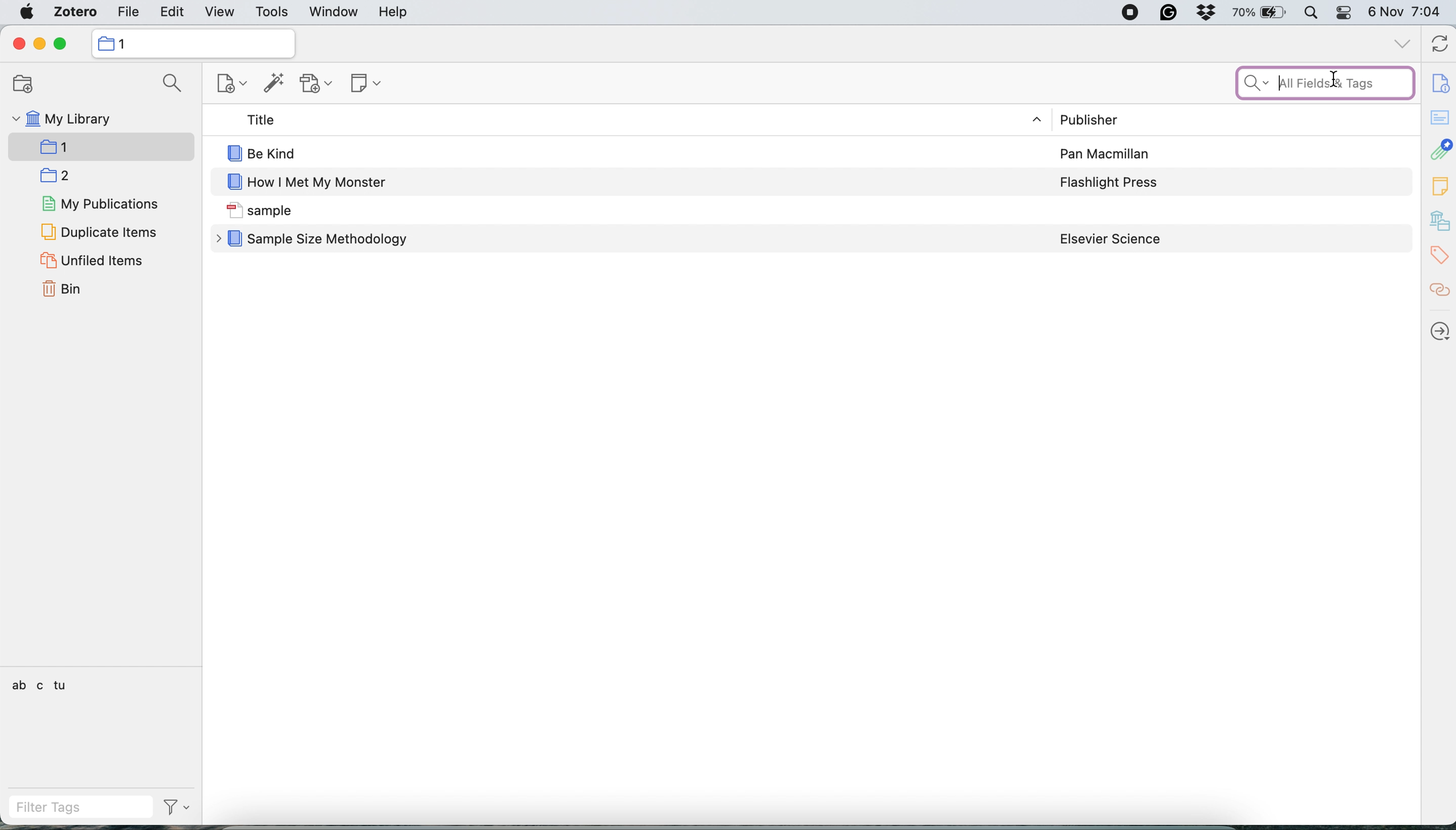 This screenshot has height=830, width=1456. Describe the element at coordinates (99, 231) in the screenshot. I see `duplicate items` at that location.